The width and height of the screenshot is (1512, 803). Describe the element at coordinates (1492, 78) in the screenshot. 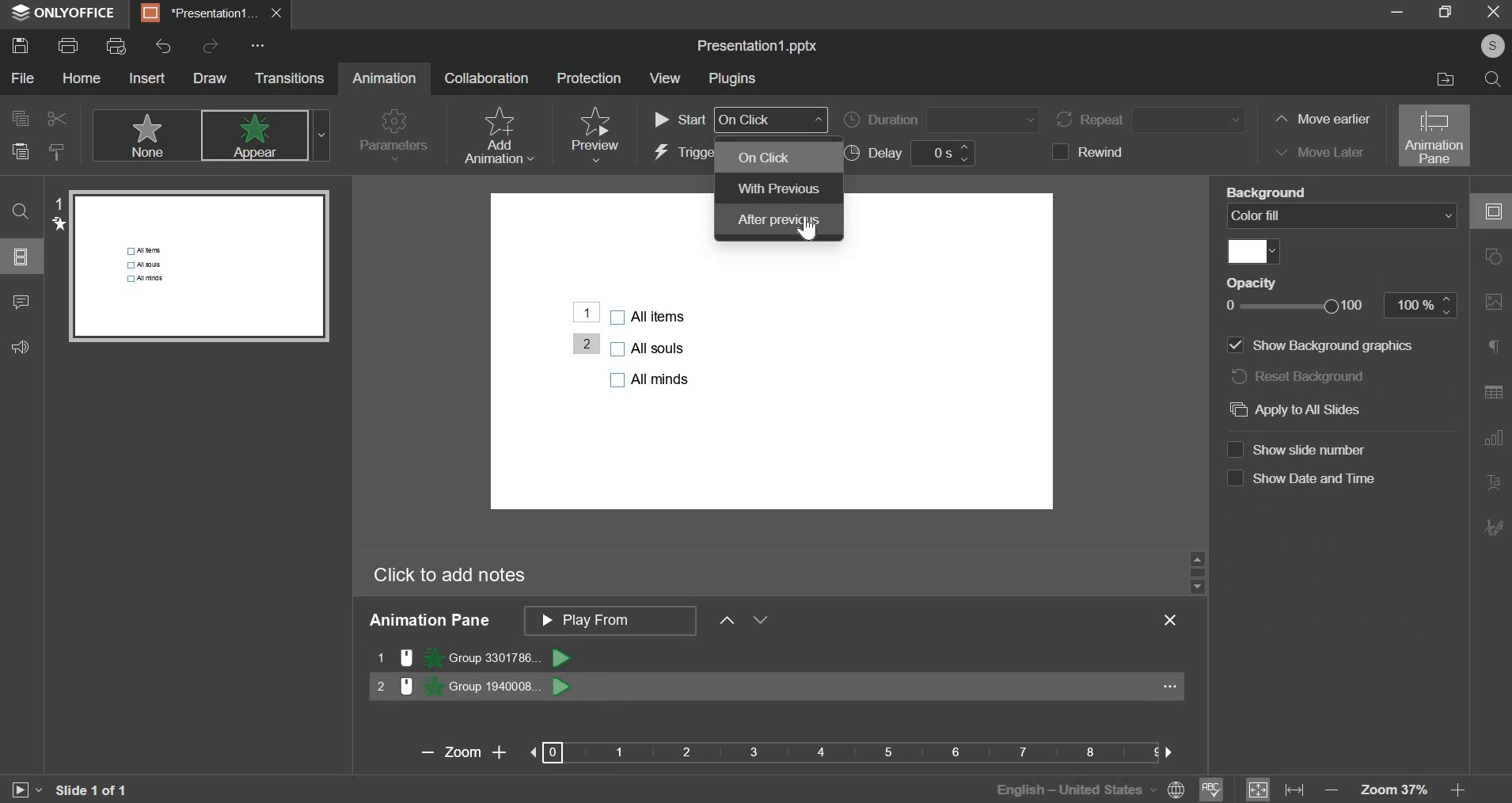

I see `search` at that location.